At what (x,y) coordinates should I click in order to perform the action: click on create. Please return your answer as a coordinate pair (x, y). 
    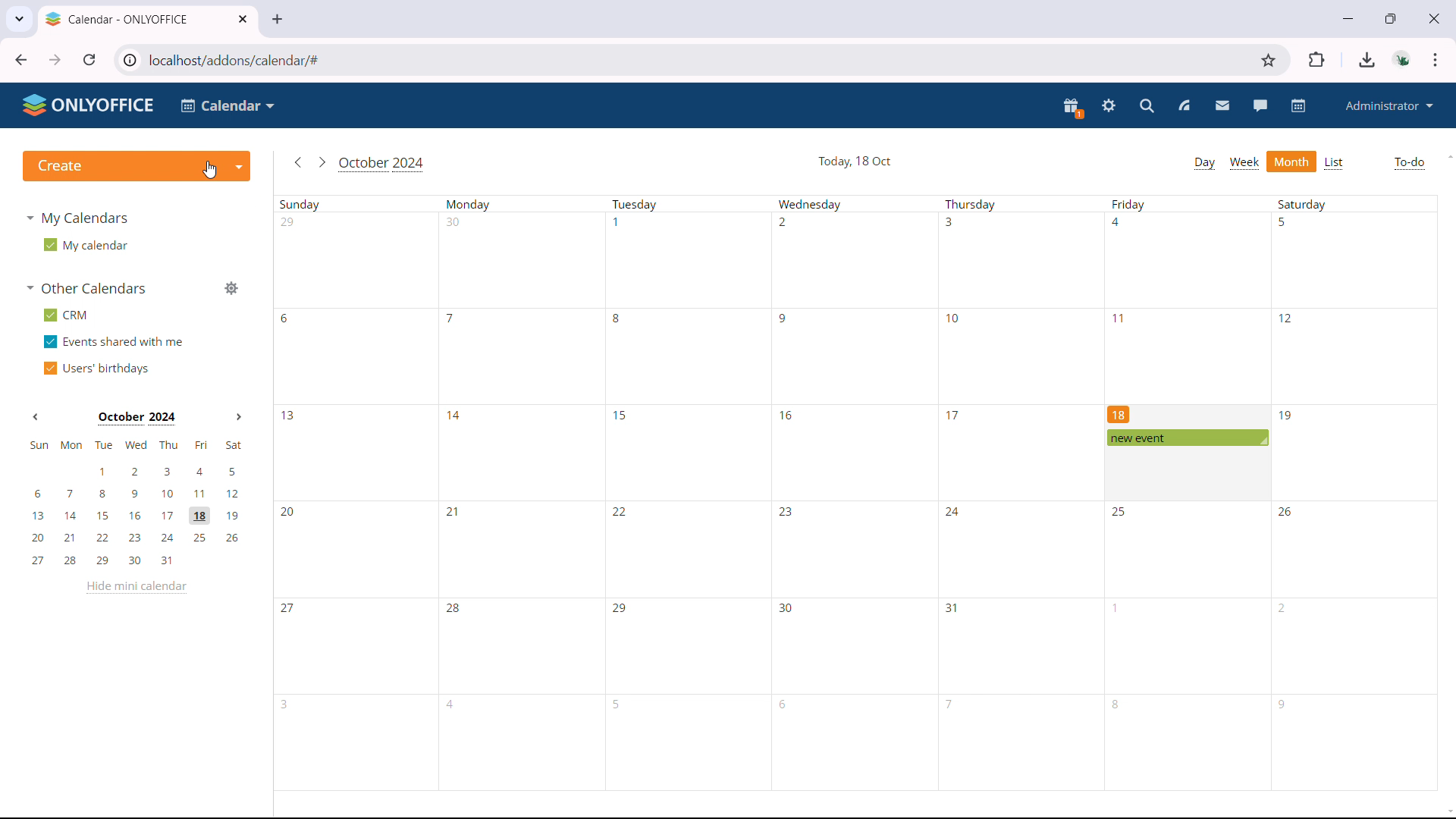
    Looking at the image, I should click on (136, 165).